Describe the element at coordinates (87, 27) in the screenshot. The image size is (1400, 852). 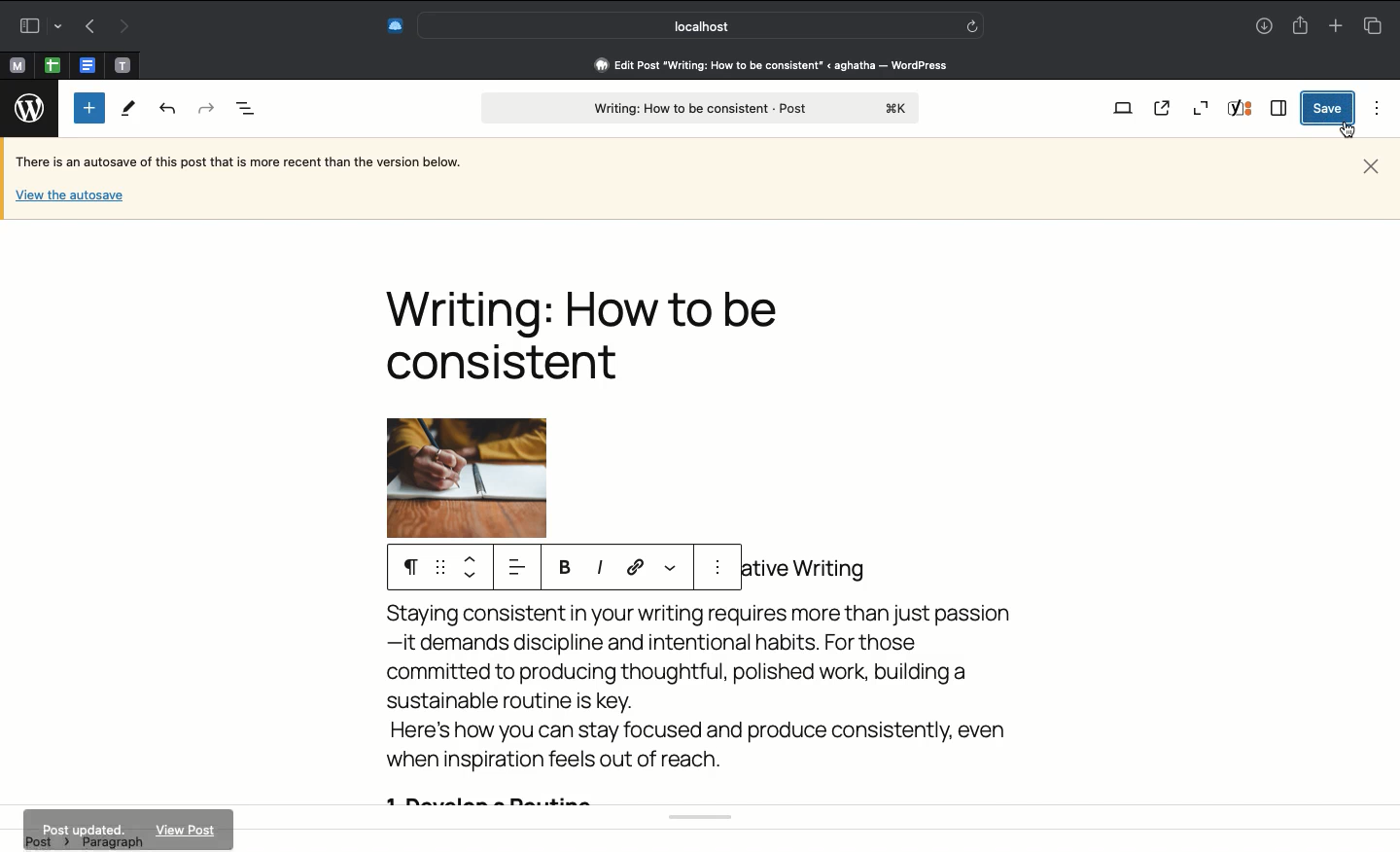
I see `Previous page` at that location.